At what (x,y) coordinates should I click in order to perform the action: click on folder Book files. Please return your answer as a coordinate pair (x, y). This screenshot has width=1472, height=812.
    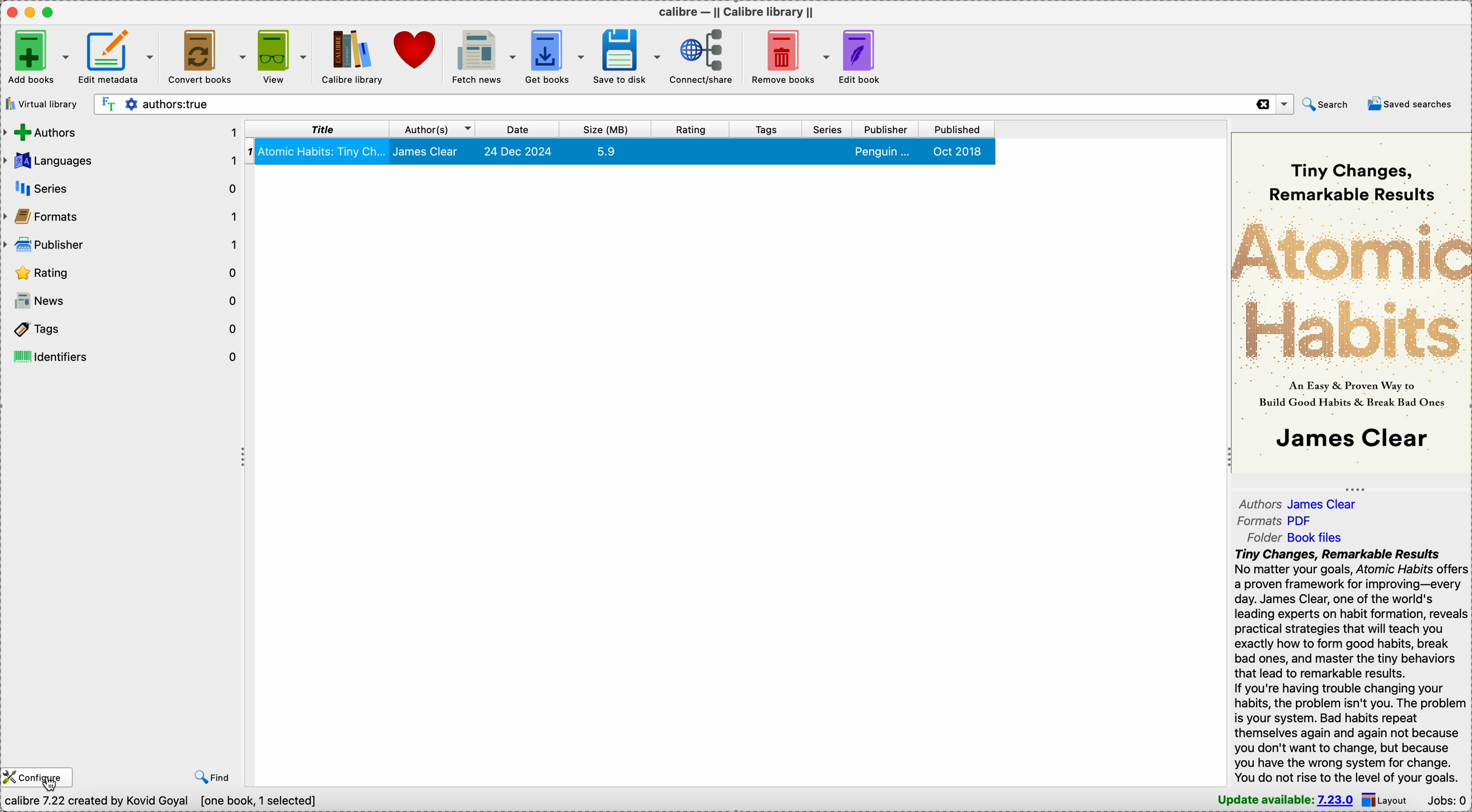
    Looking at the image, I should click on (1294, 538).